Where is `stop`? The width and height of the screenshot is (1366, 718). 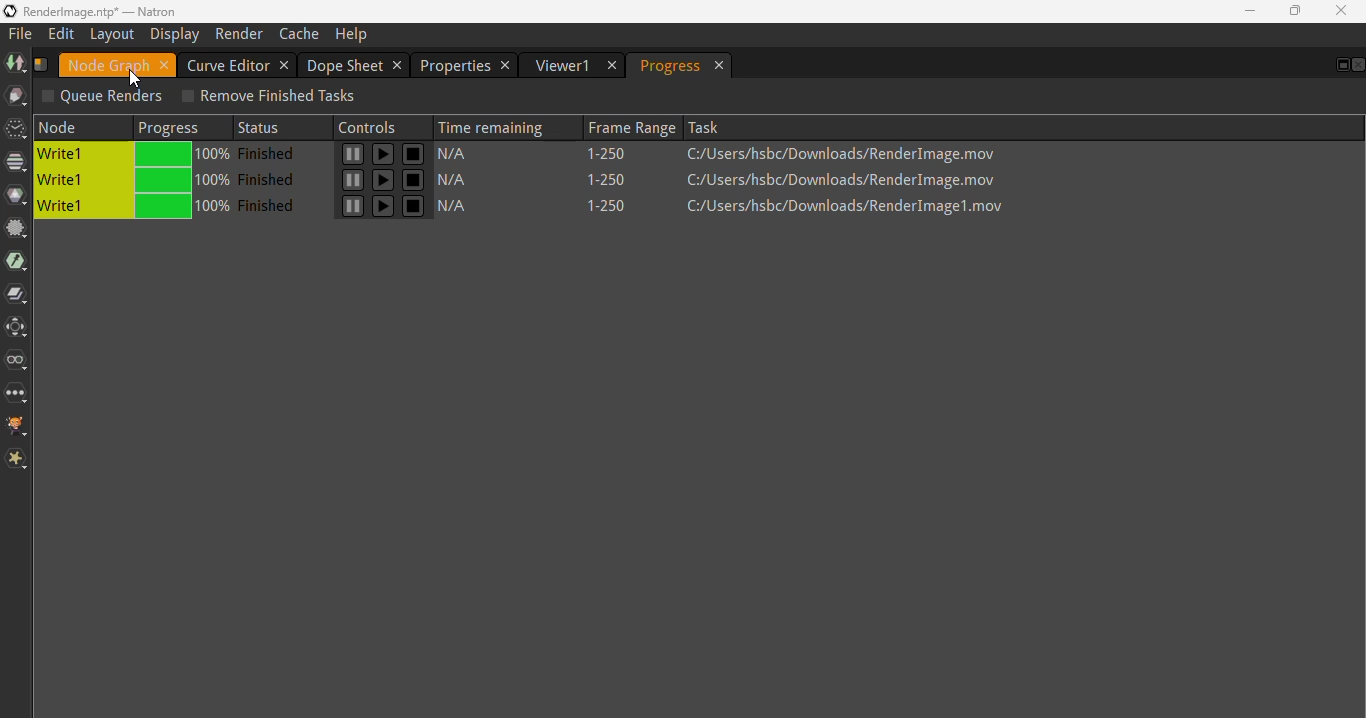
stop is located at coordinates (414, 180).